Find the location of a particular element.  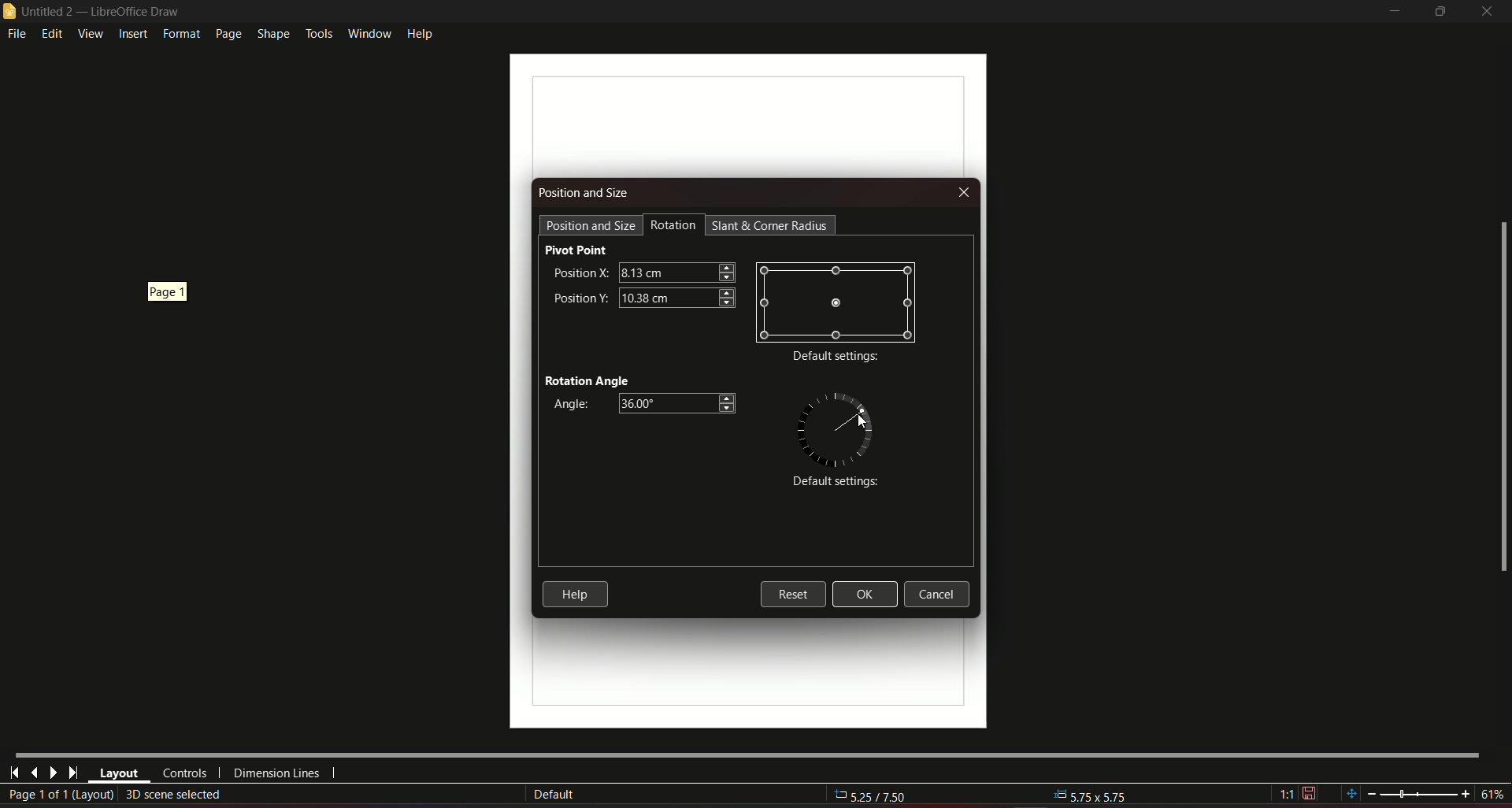

Position and size is located at coordinates (585, 193).